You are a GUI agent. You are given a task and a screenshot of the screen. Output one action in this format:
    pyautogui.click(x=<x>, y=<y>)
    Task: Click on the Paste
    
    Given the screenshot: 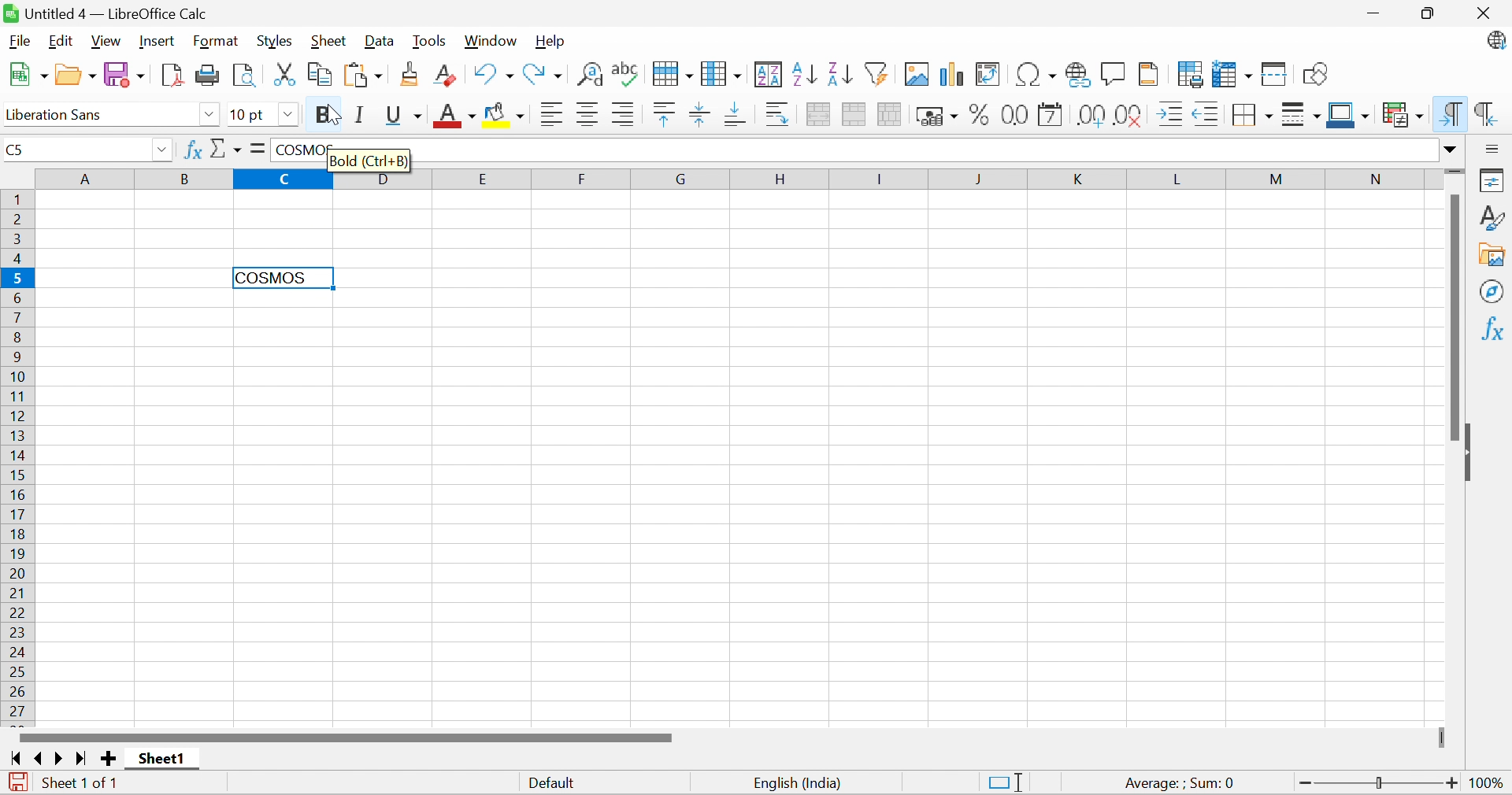 What is the action you would take?
    pyautogui.click(x=366, y=74)
    